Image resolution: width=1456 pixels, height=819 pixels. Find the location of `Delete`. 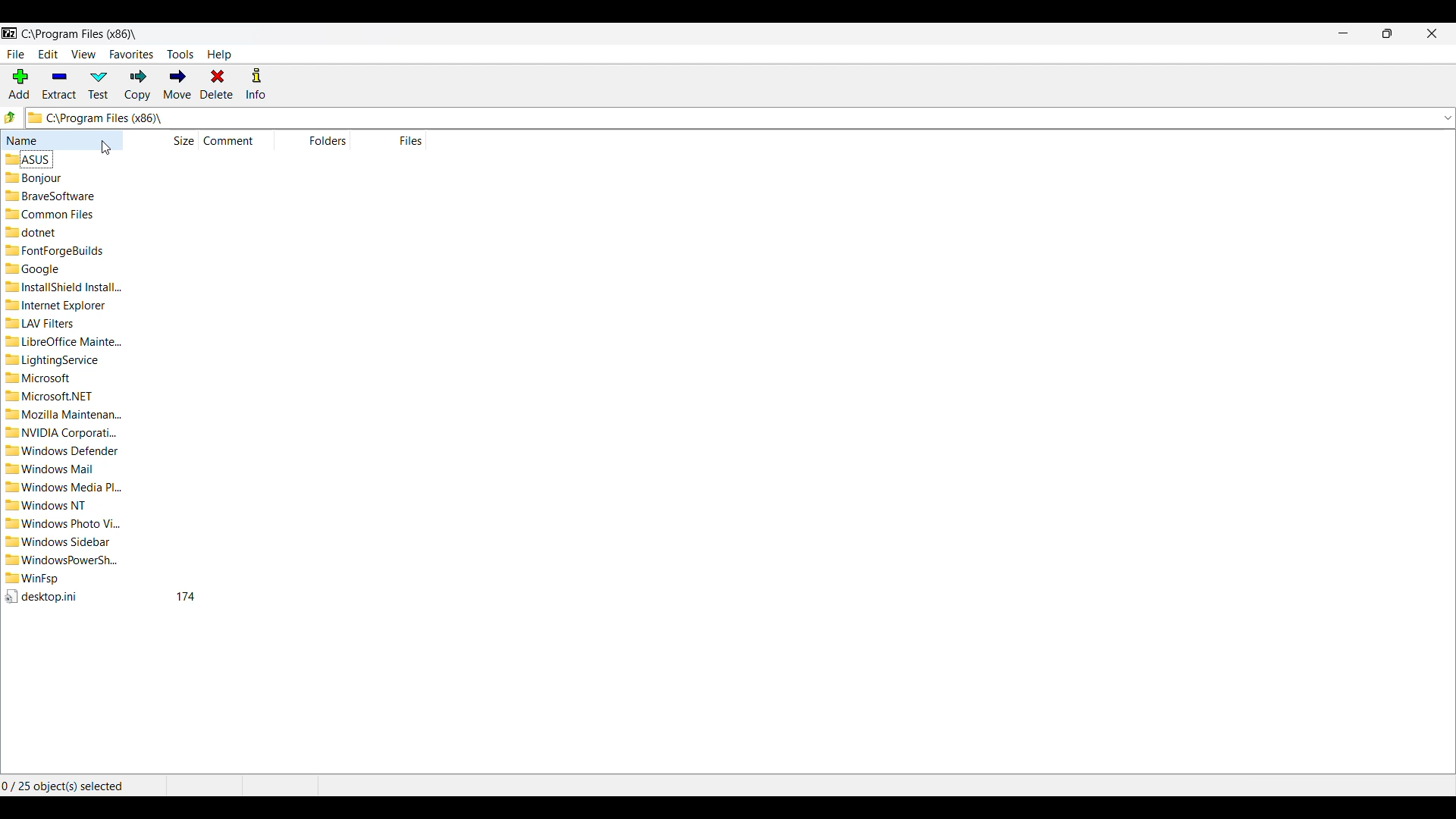

Delete is located at coordinates (218, 84).